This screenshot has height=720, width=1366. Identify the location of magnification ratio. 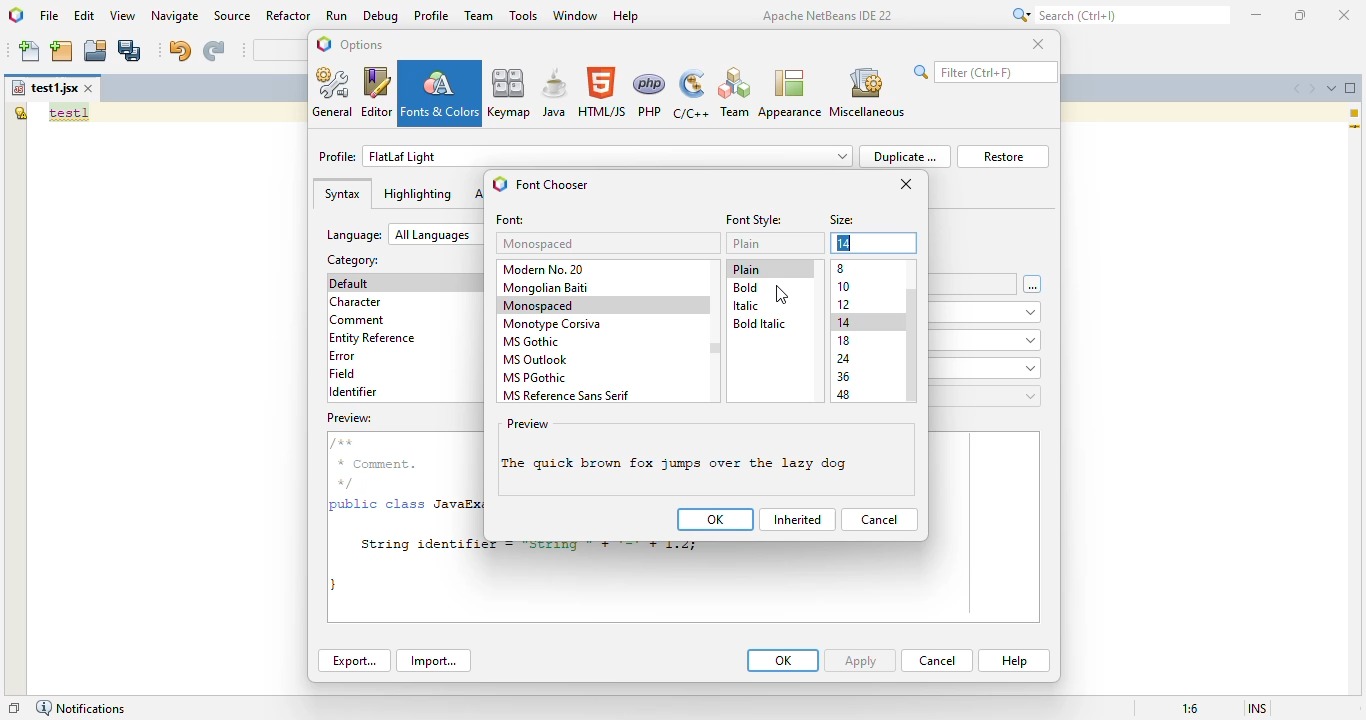
(1190, 708).